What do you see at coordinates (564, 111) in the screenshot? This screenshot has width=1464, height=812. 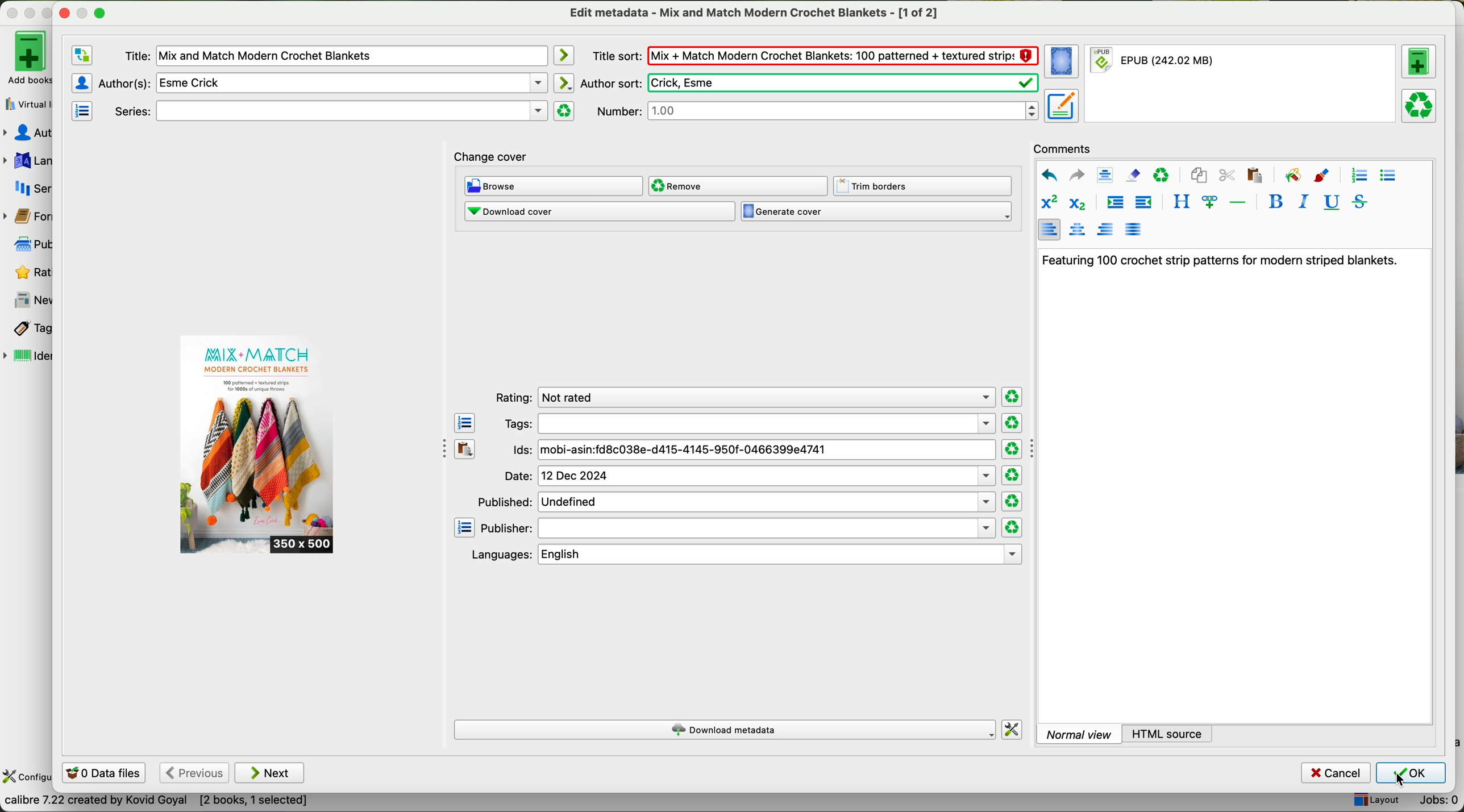 I see `clear series` at bounding box center [564, 111].